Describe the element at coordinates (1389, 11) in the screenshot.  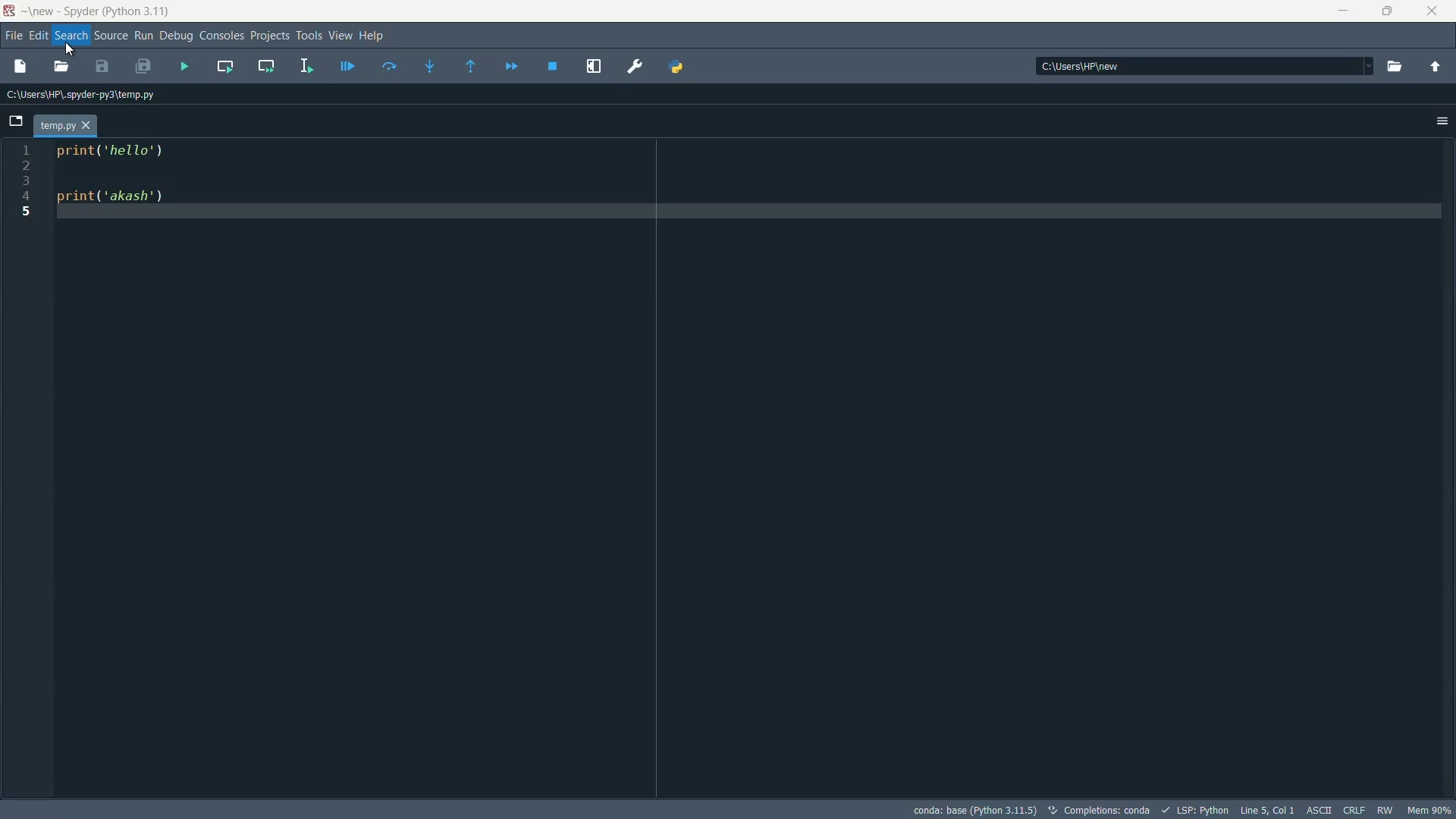
I see `restore` at that location.